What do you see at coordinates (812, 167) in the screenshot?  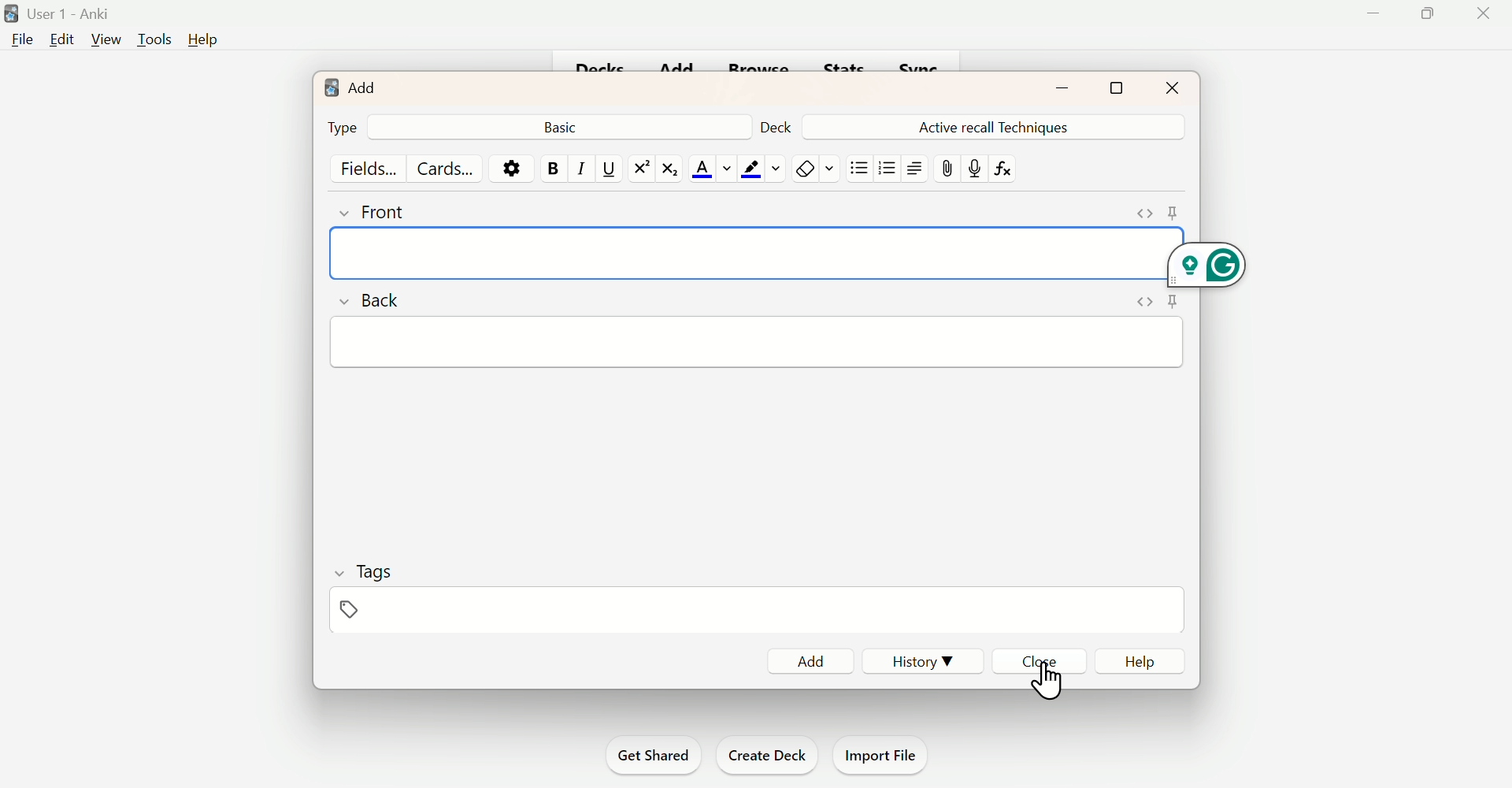 I see `Remove Formatting` at bounding box center [812, 167].